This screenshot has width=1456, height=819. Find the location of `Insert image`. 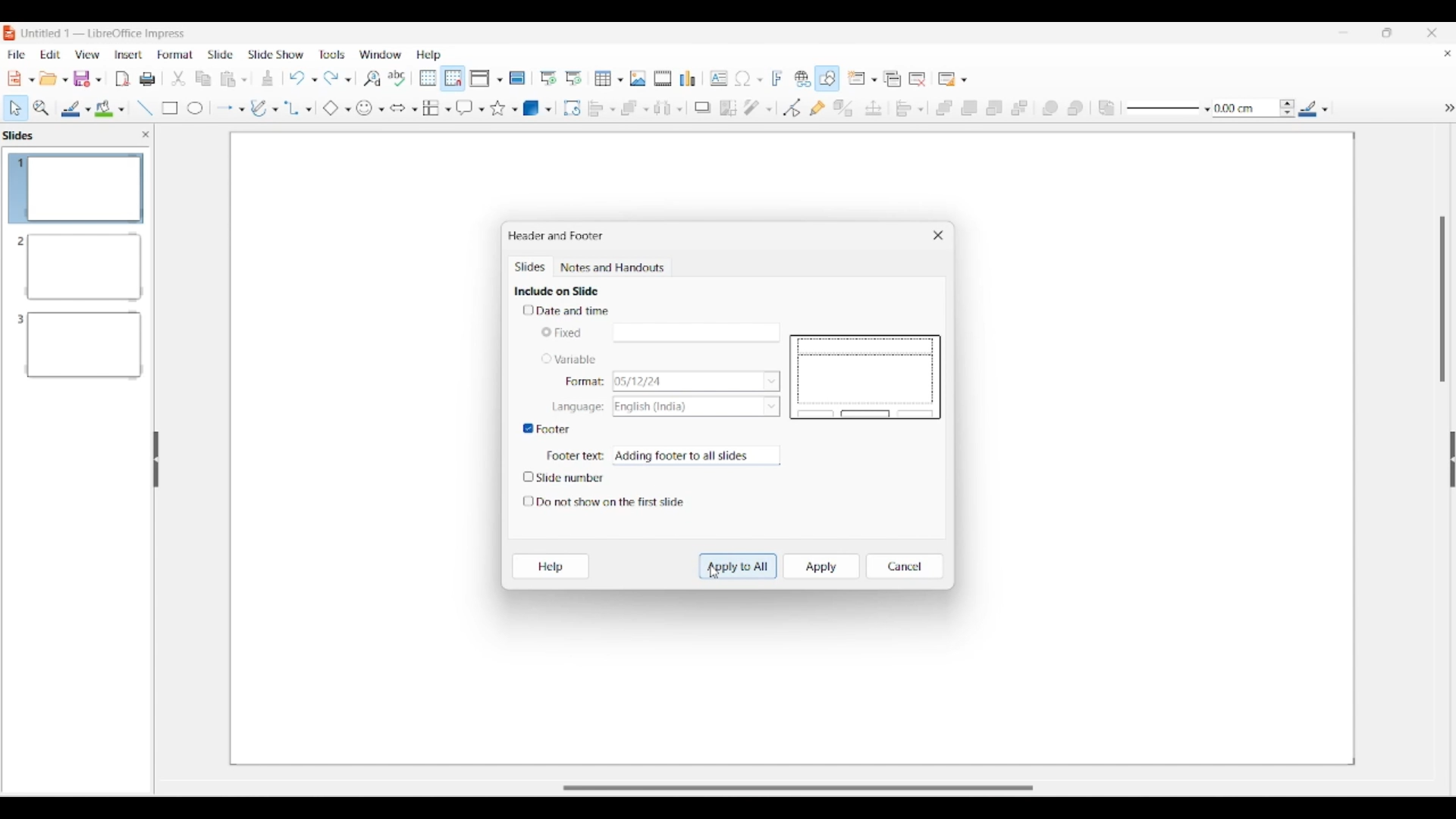

Insert image is located at coordinates (638, 78).